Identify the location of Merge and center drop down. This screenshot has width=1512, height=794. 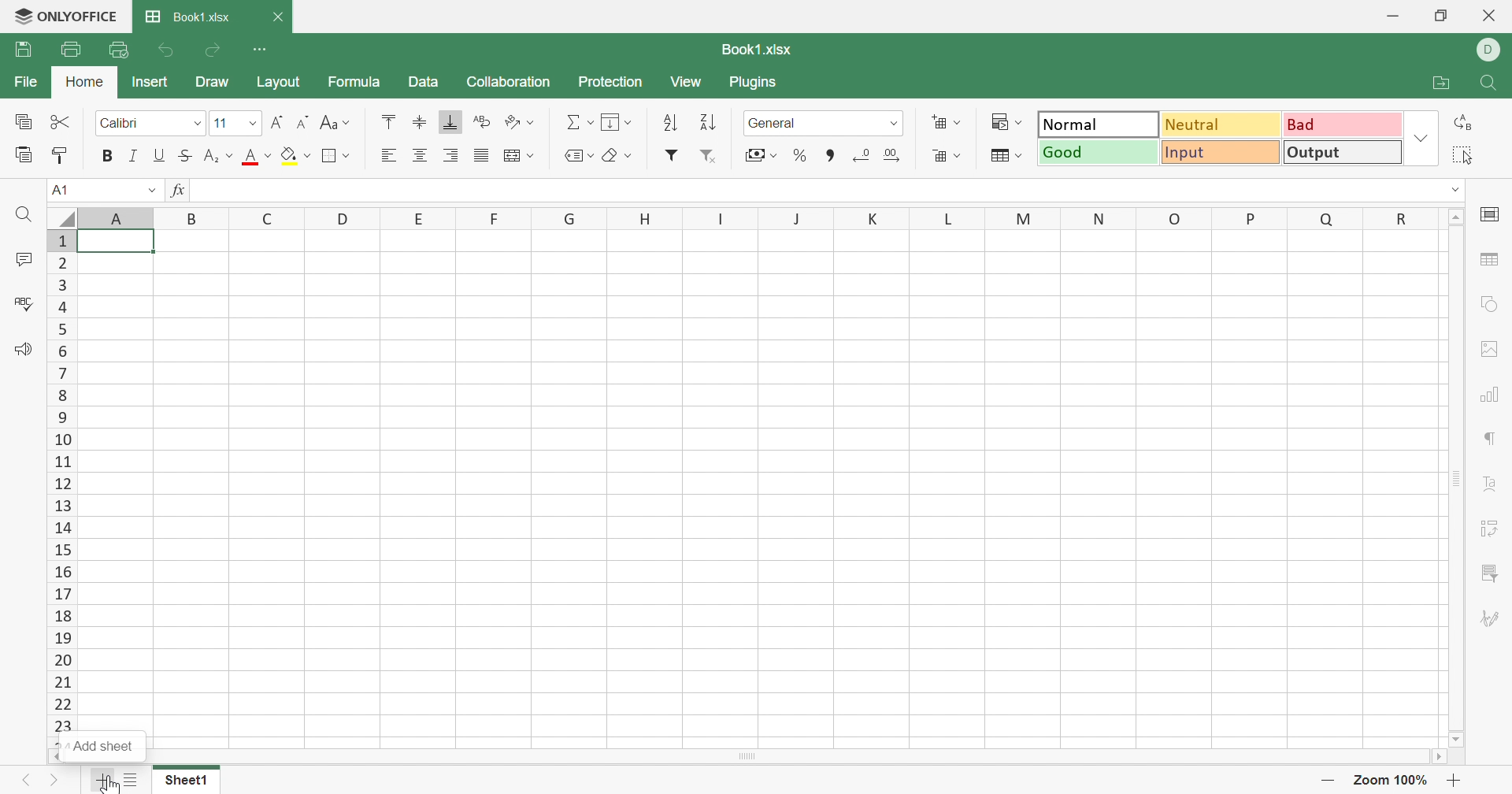
(535, 157).